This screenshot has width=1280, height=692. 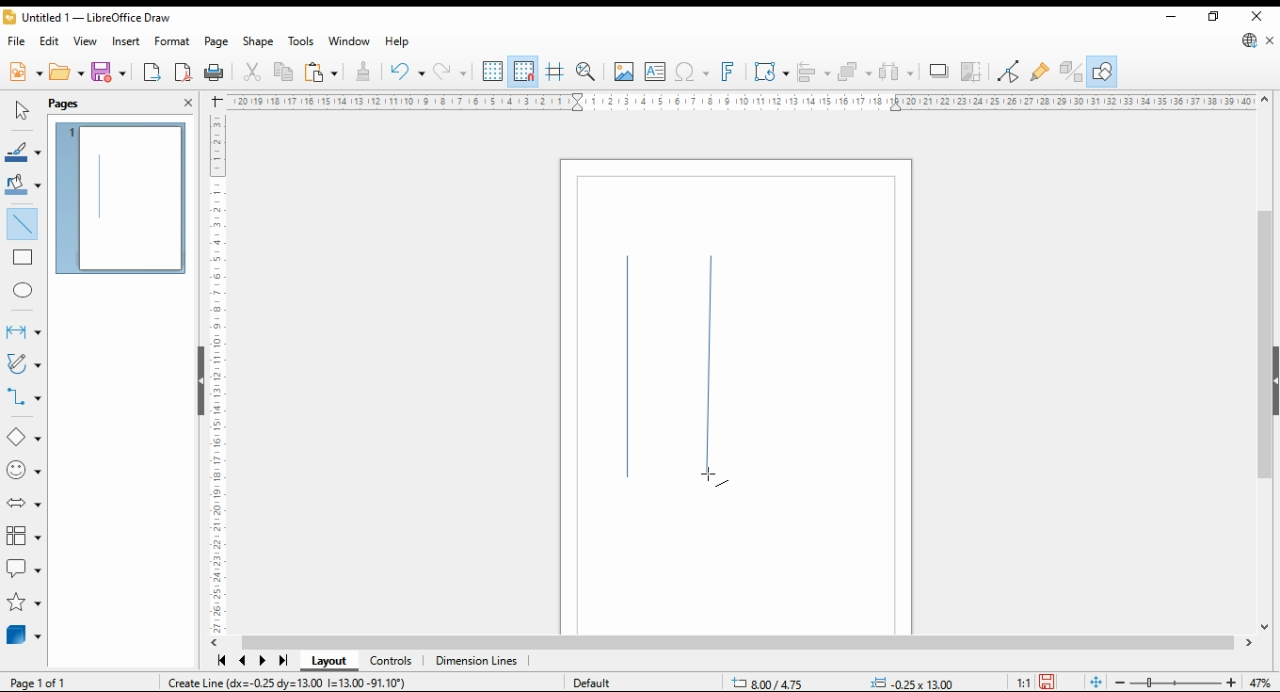 What do you see at coordinates (86, 41) in the screenshot?
I see `view` at bounding box center [86, 41].